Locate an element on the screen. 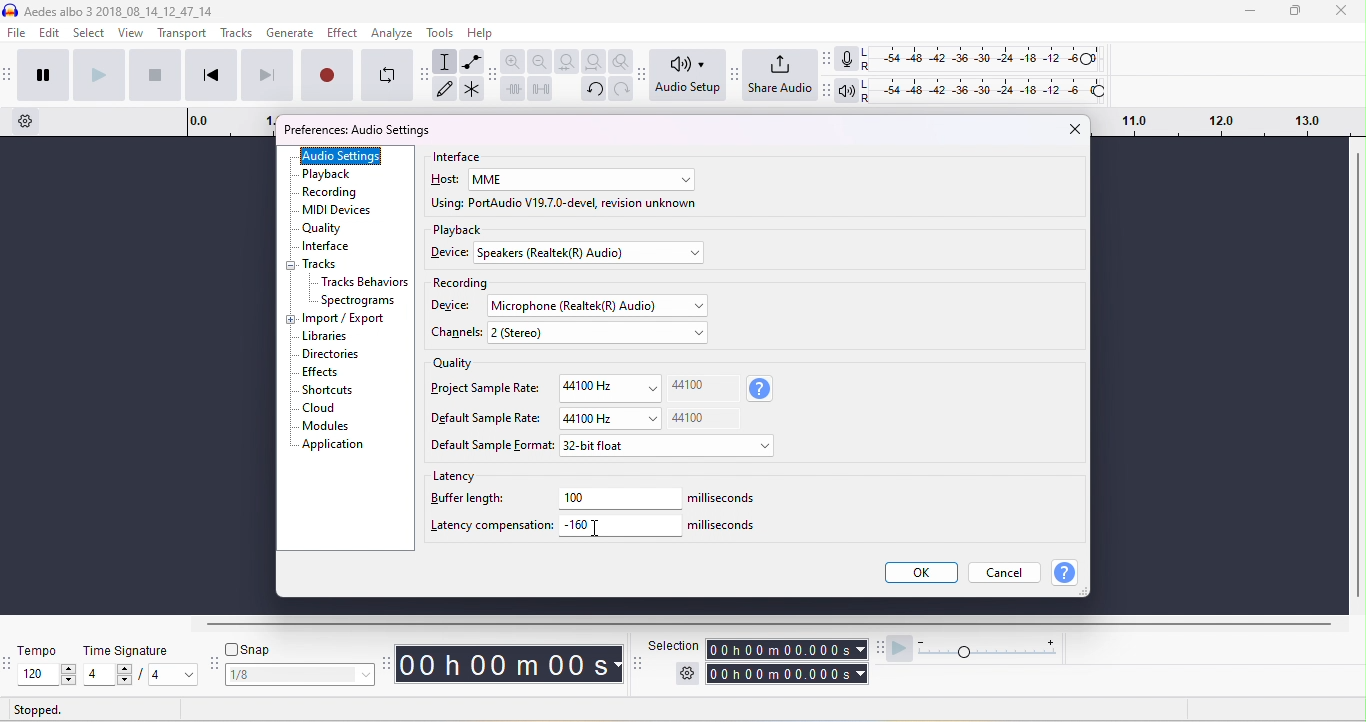 The width and height of the screenshot is (1366, 722). interface is located at coordinates (325, 247).